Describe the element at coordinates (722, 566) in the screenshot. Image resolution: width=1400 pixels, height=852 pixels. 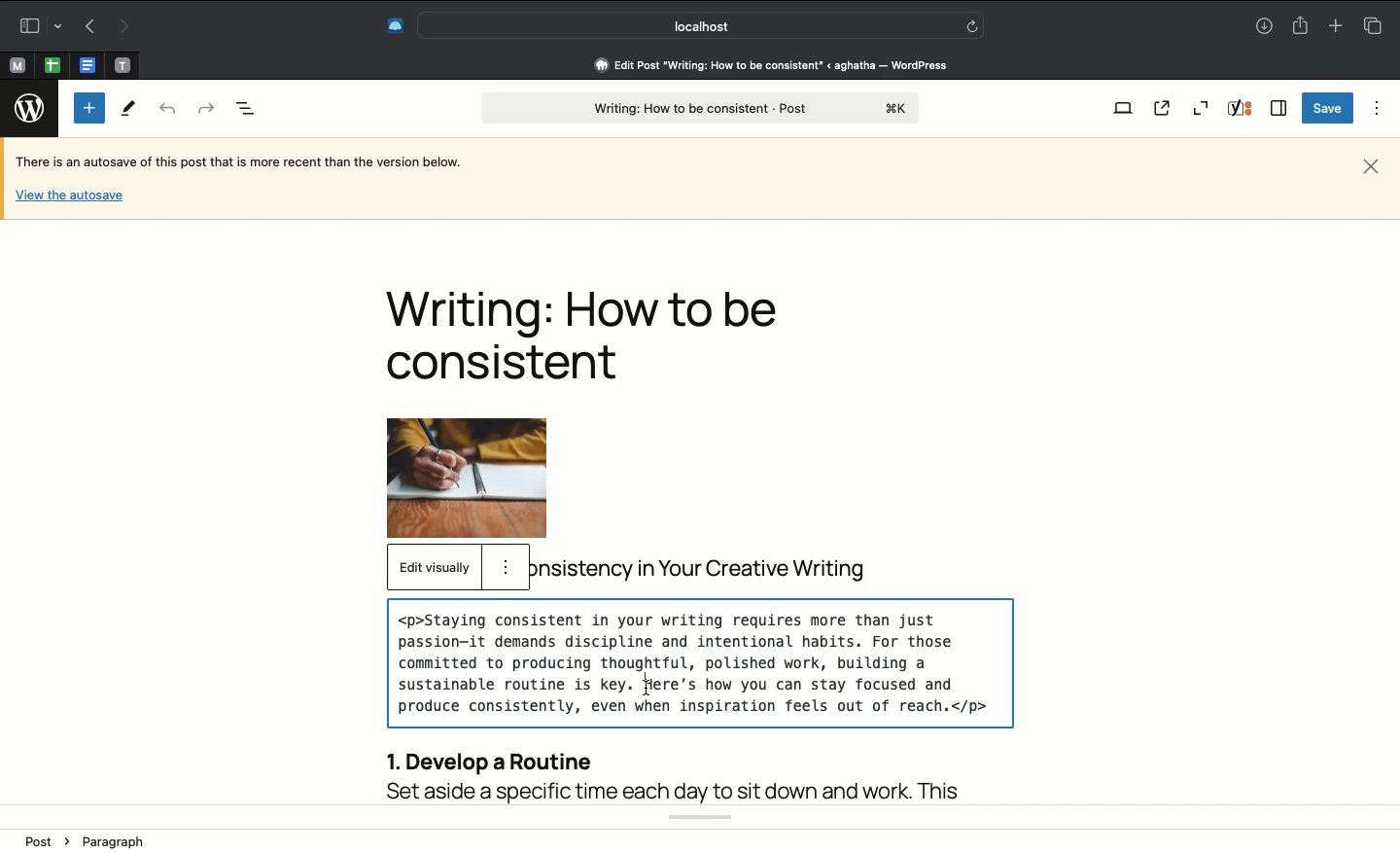
I see `title` at that location.